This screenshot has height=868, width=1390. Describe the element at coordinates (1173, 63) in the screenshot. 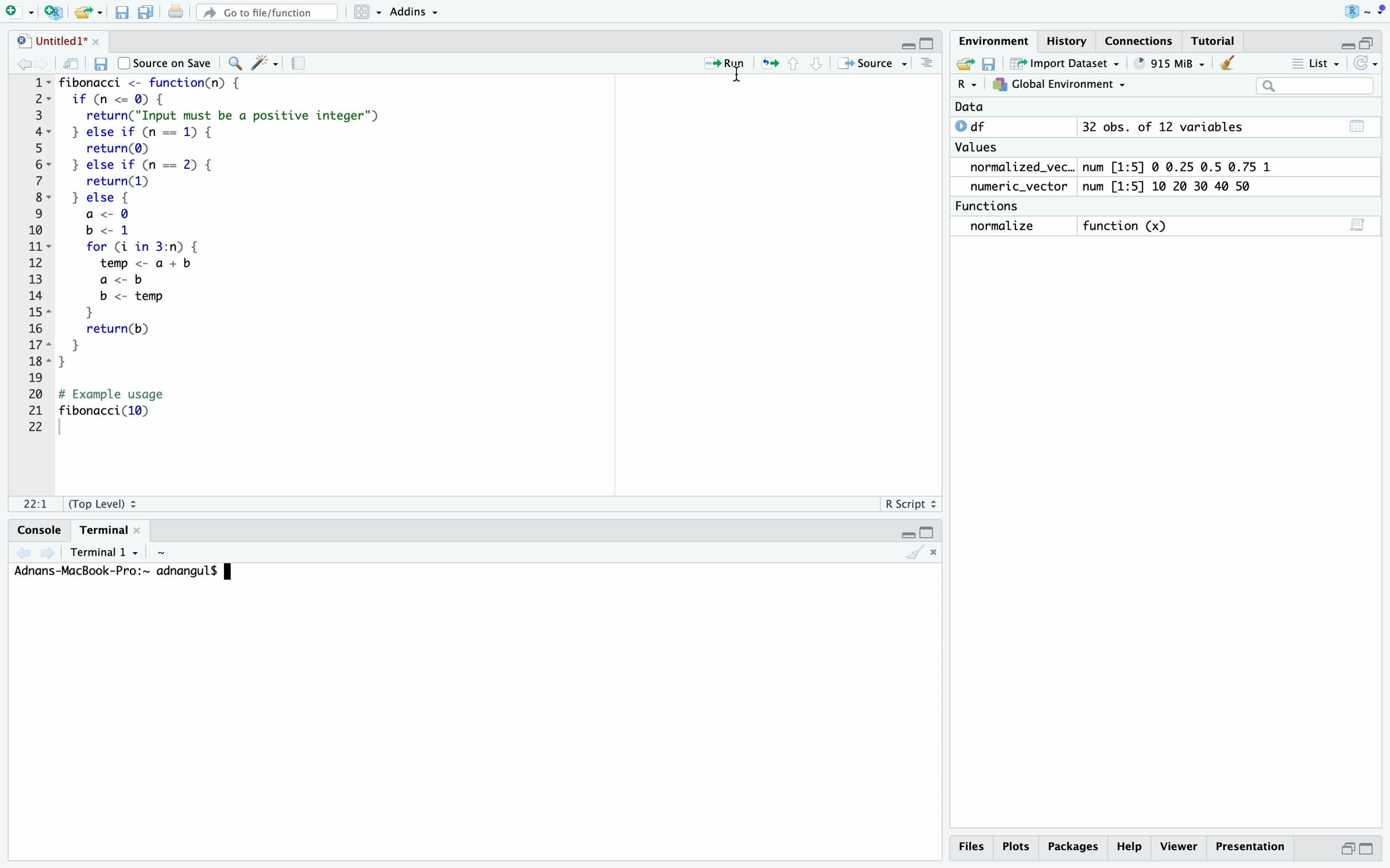

I see `264 MiB` at that location.